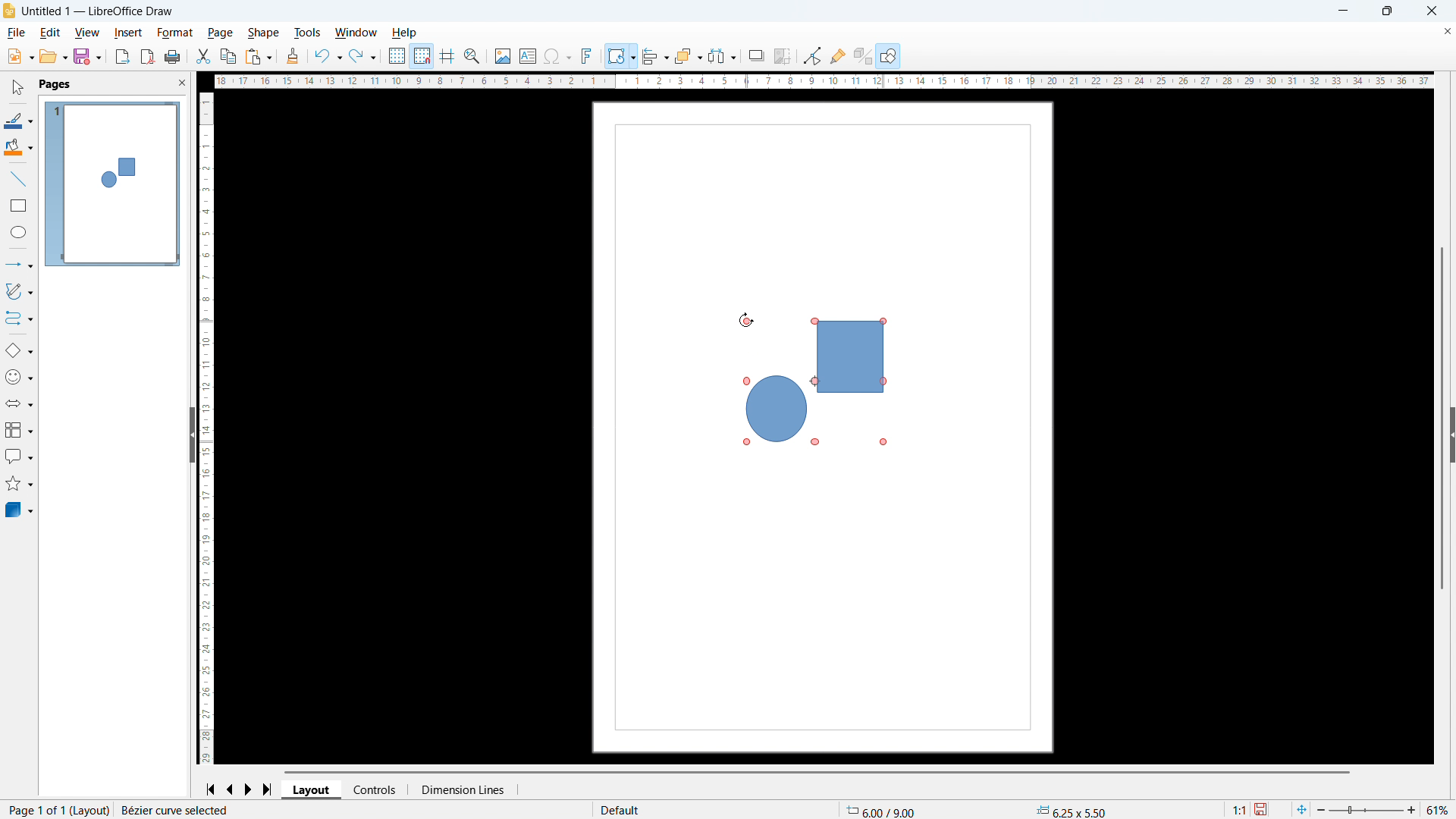  I want to click on Show glue Point functions , so click(839, 55).